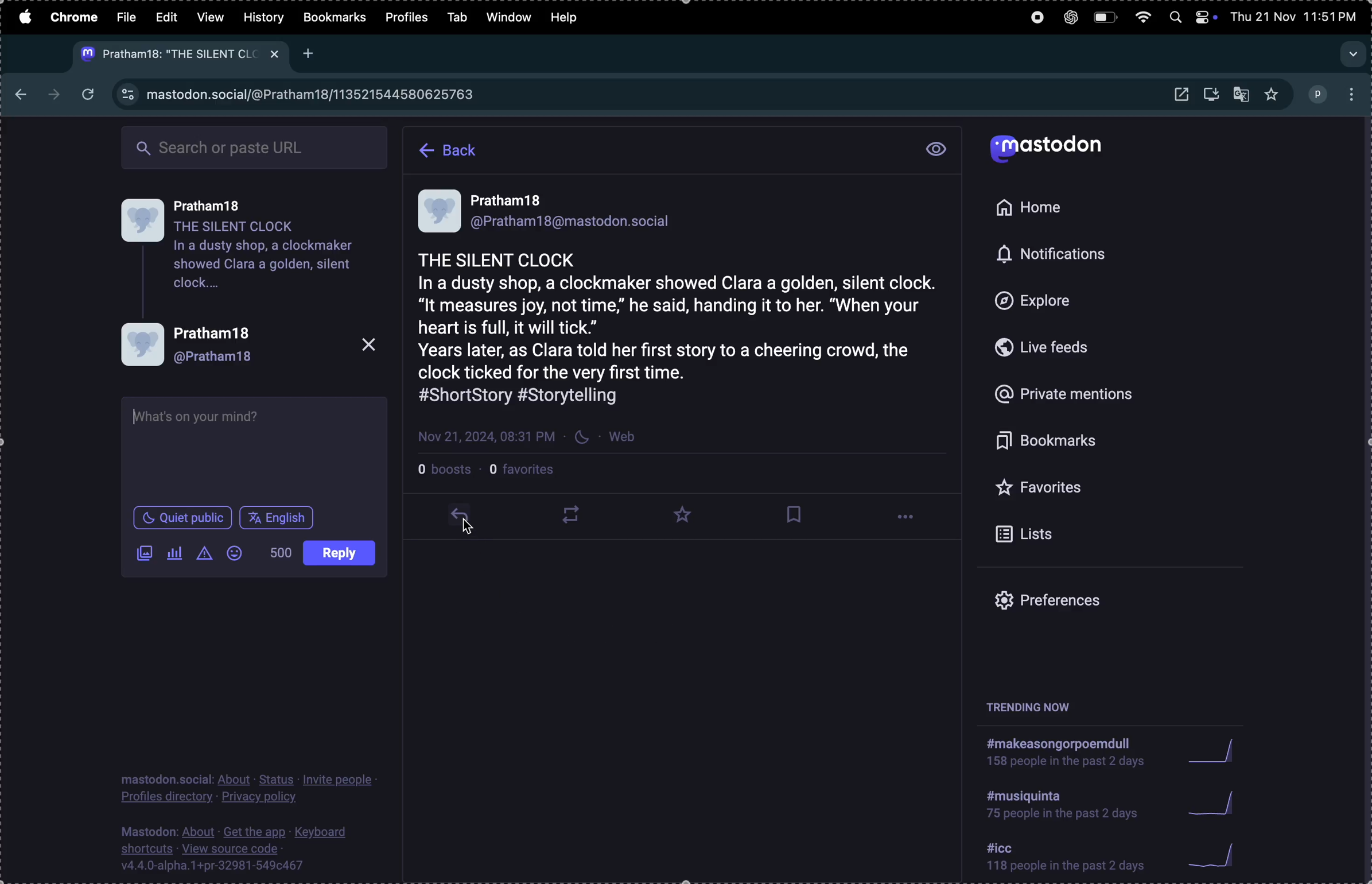  What do you see at coordinates (460, 519) in the screenshot?
I see `reply` at bounding box center [460, 519].